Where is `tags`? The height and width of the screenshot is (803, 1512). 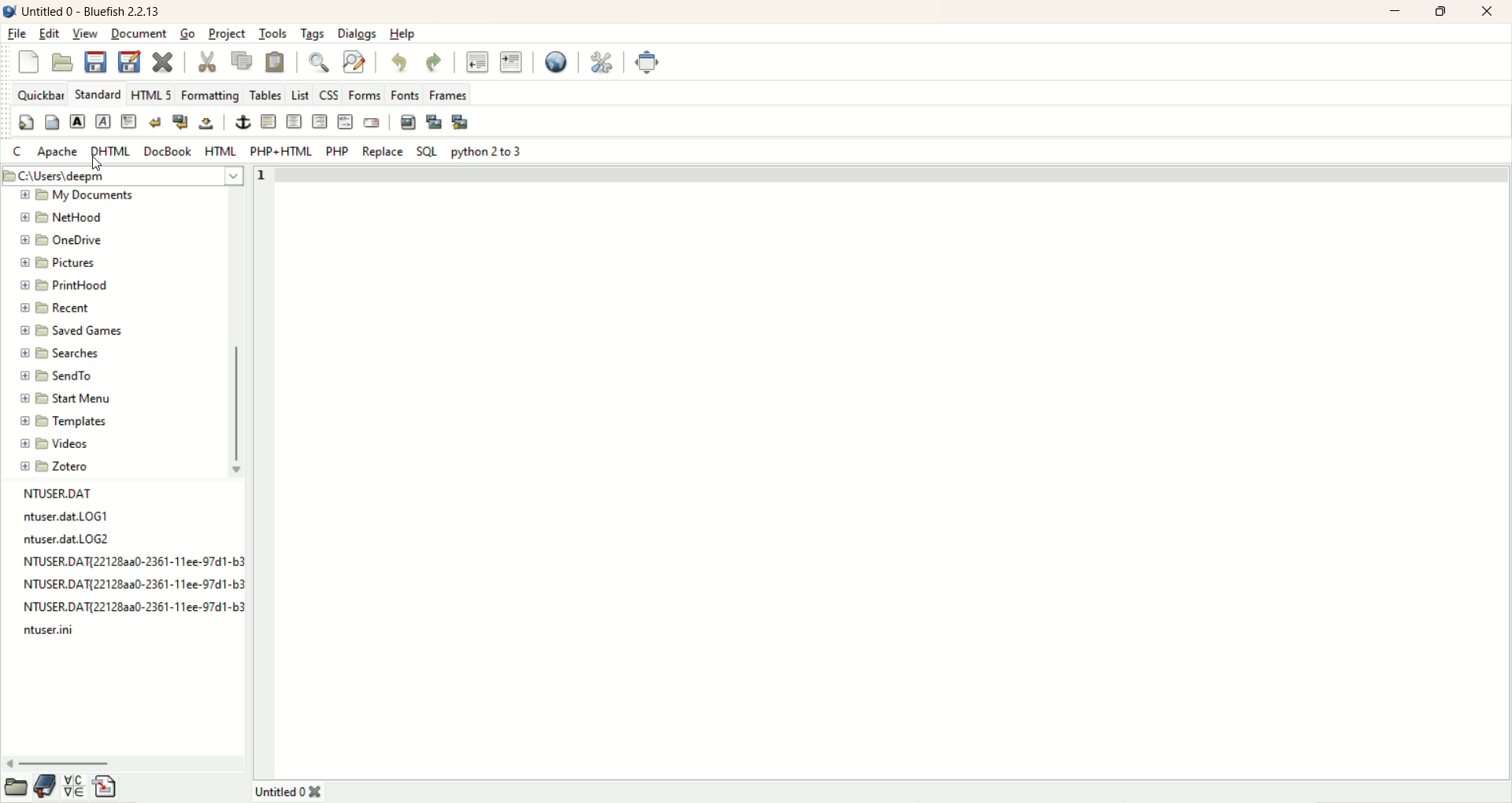 tags is located at coordinates (314, 33).